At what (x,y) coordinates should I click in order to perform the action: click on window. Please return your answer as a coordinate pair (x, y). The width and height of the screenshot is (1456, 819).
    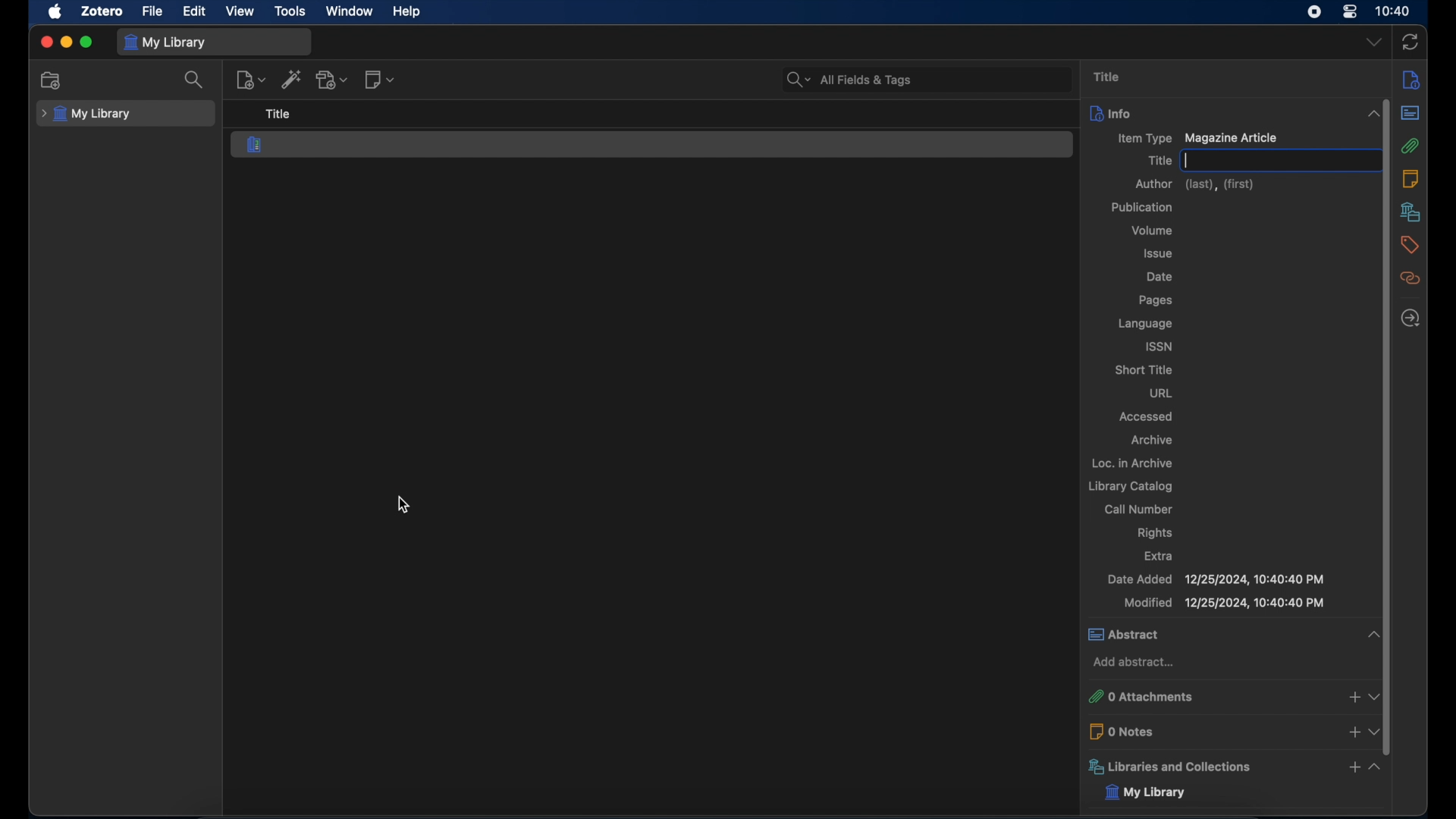
    Looking at the image, I should click on (350, 11).